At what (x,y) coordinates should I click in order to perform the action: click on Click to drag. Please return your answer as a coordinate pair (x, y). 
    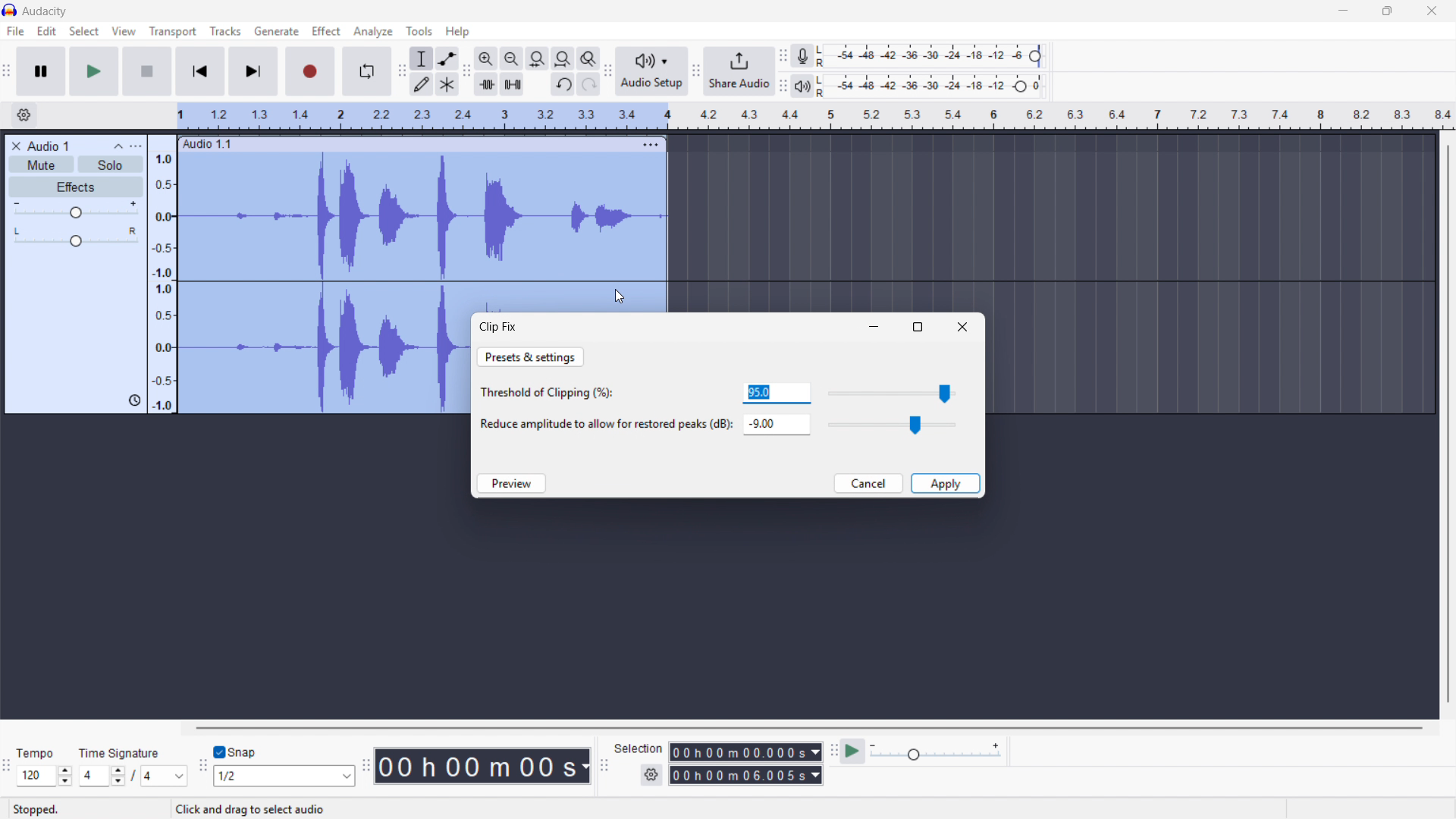
    Looking at the image, I should click on (407, 143).